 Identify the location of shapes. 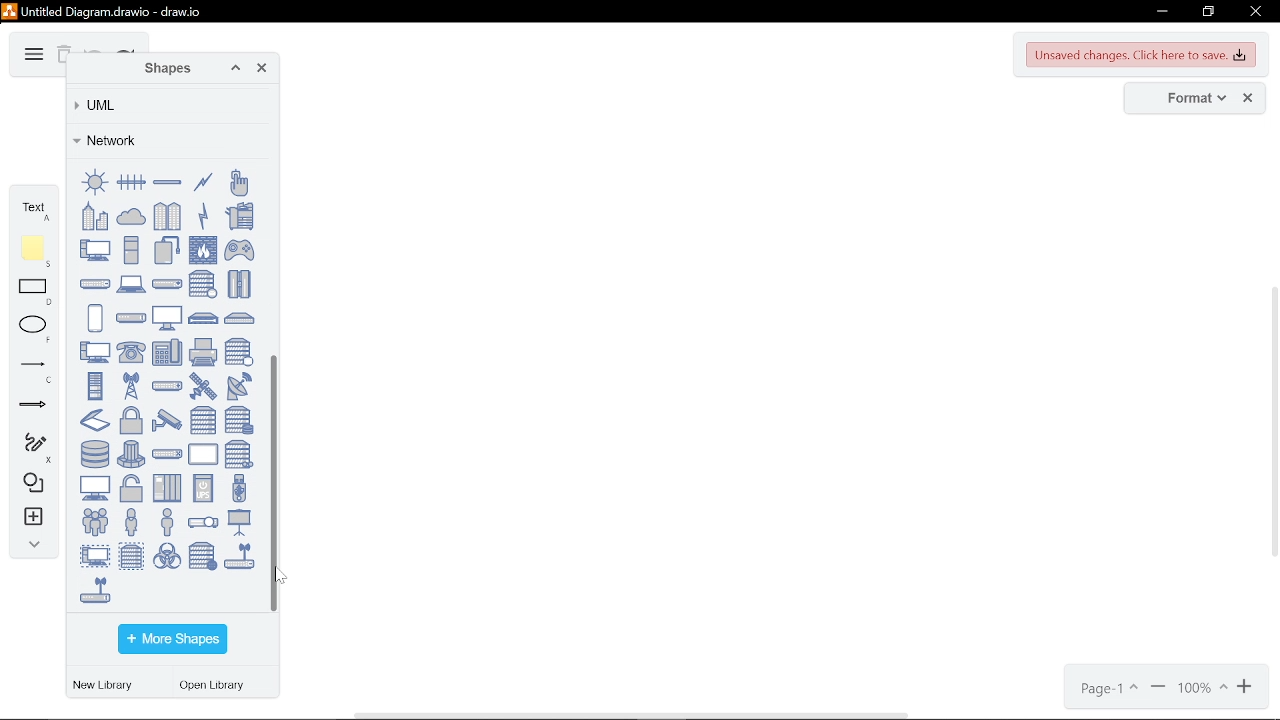
(163, 69).